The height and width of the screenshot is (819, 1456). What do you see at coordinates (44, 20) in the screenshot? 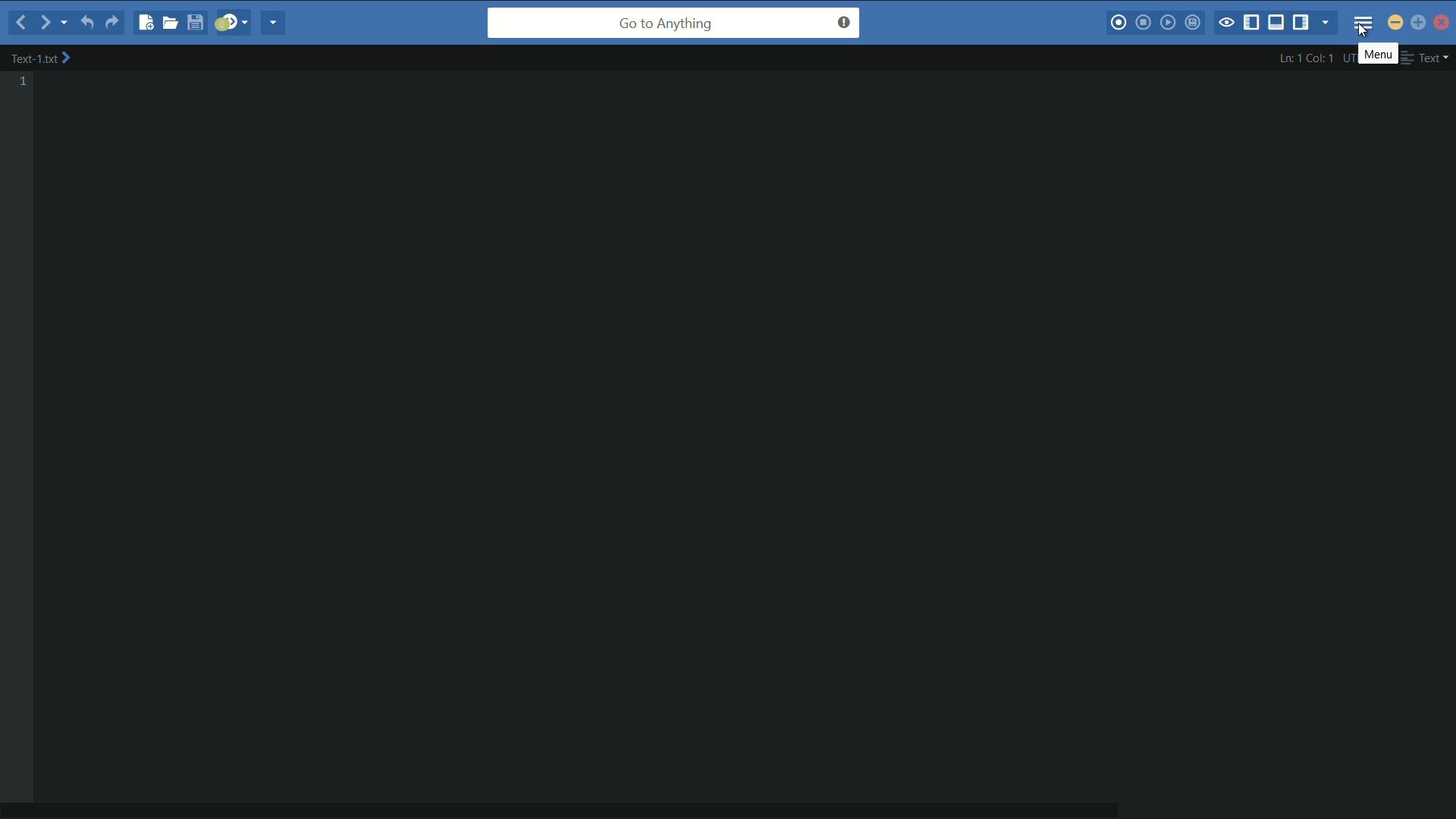
I see `forward` at bounding box center [44, 20].